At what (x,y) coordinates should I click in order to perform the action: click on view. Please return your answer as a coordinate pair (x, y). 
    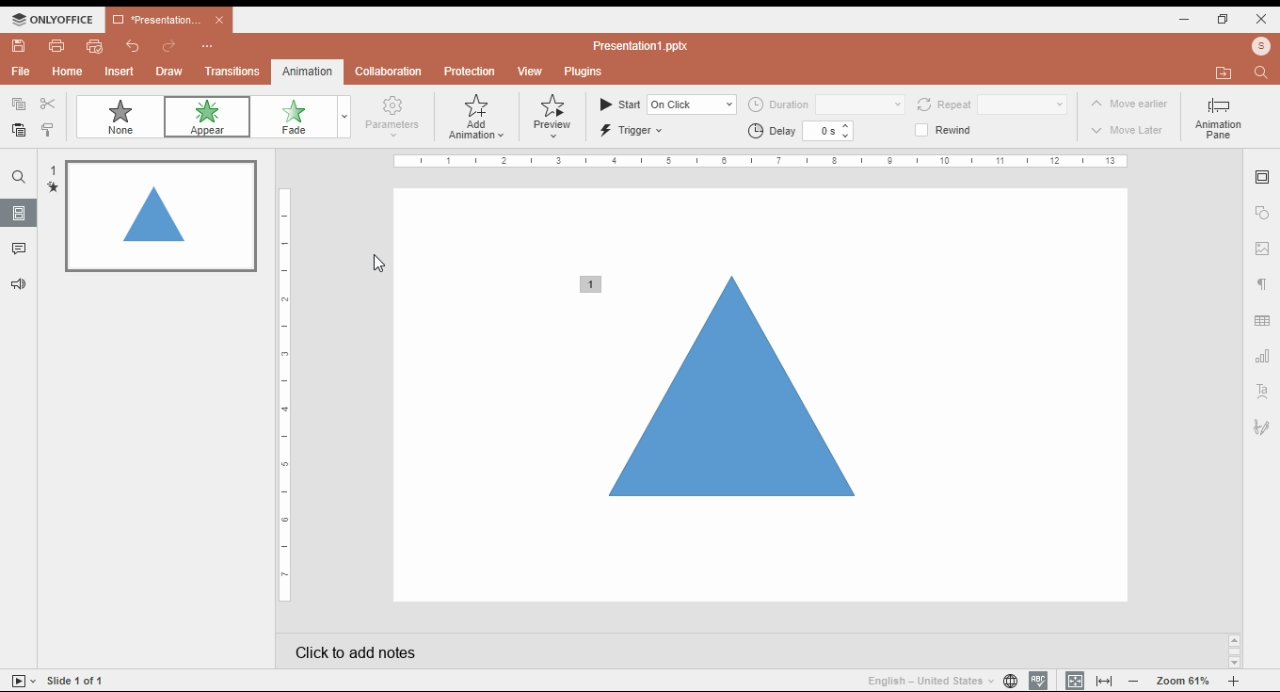
    Looking at the image, I should click on (531, 72).